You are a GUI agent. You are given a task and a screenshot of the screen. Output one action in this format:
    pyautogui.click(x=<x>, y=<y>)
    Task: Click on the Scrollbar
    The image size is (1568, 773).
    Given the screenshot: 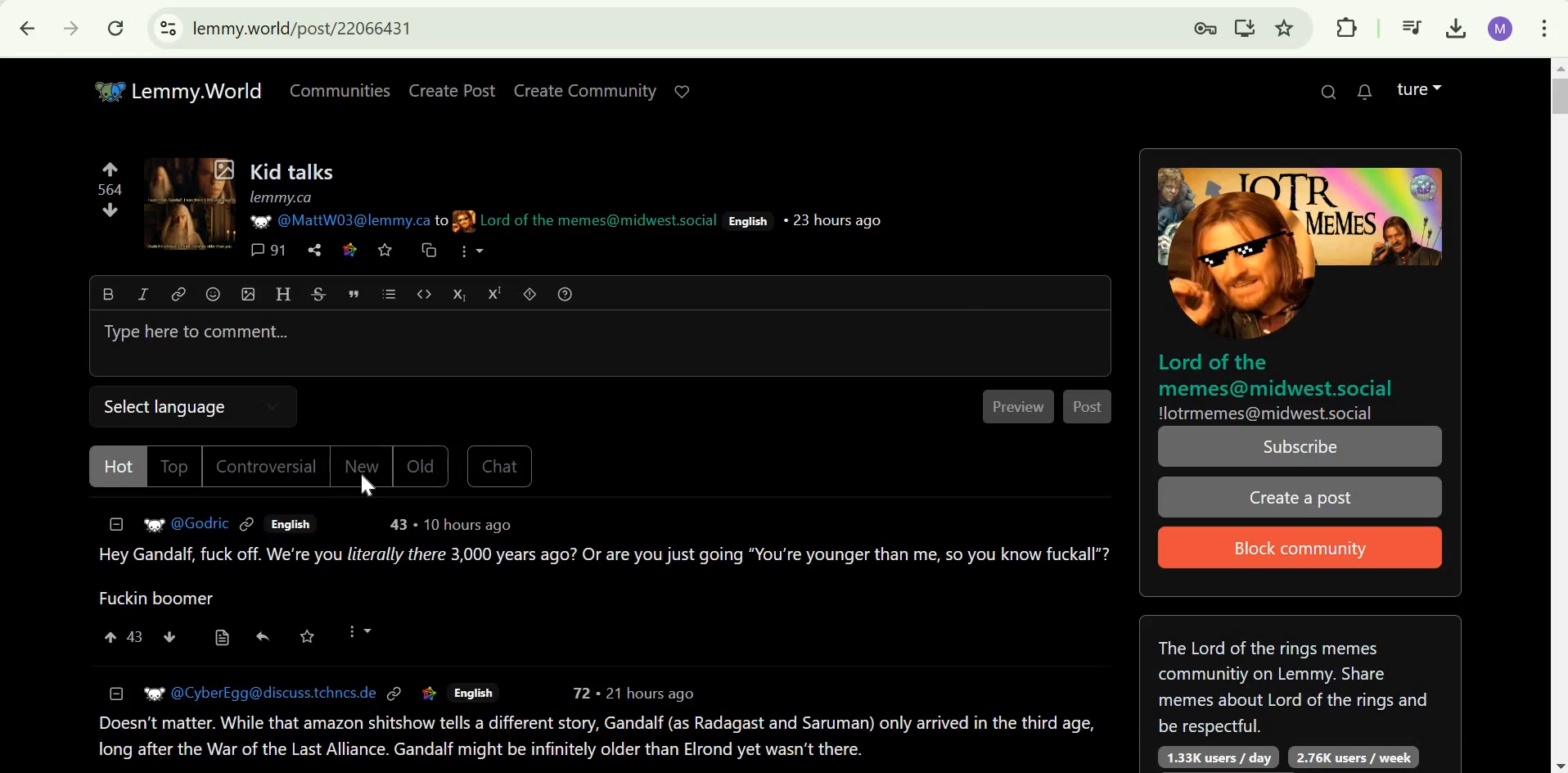 What is the action you would take?
    pyautogui.click(x=1558, y=414)
    